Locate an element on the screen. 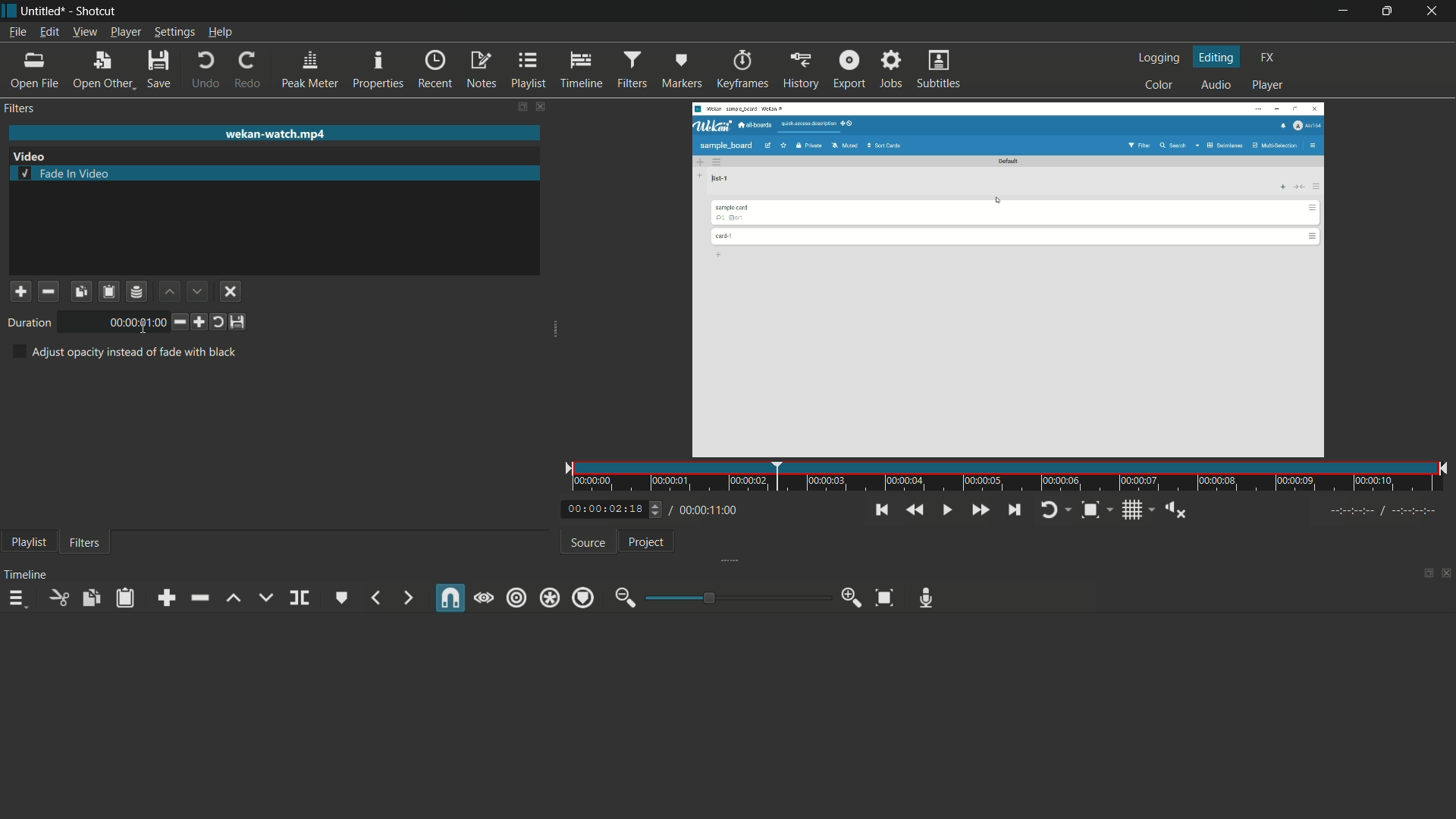 Image resolution: width=1456 pixels, height=819 pixels. cut is located at coordinates (60, 598).